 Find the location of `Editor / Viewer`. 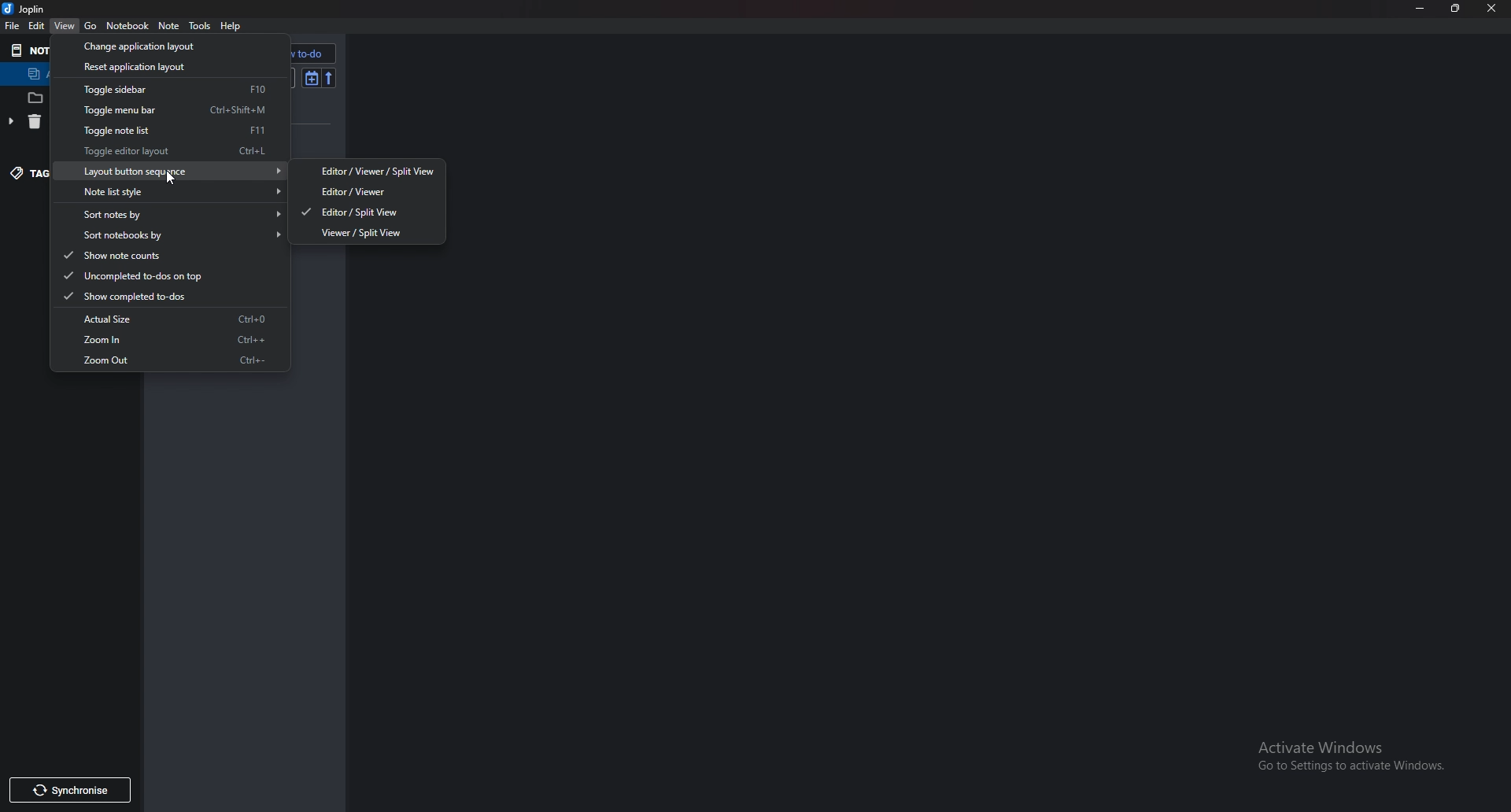

Editor / Viewer is located at coordinates (352, 191).